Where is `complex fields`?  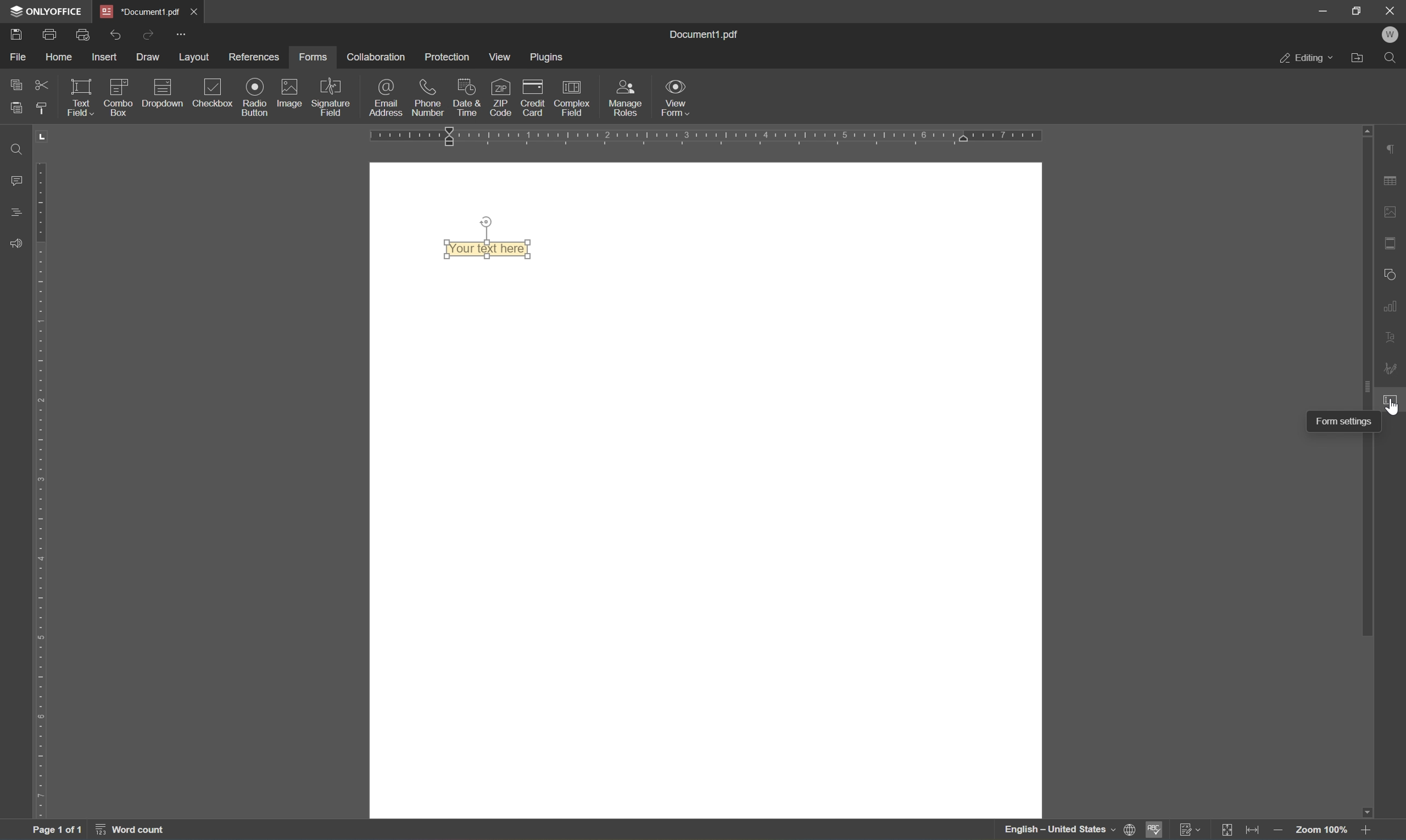
complex fields is located at coordinates (572, 100).